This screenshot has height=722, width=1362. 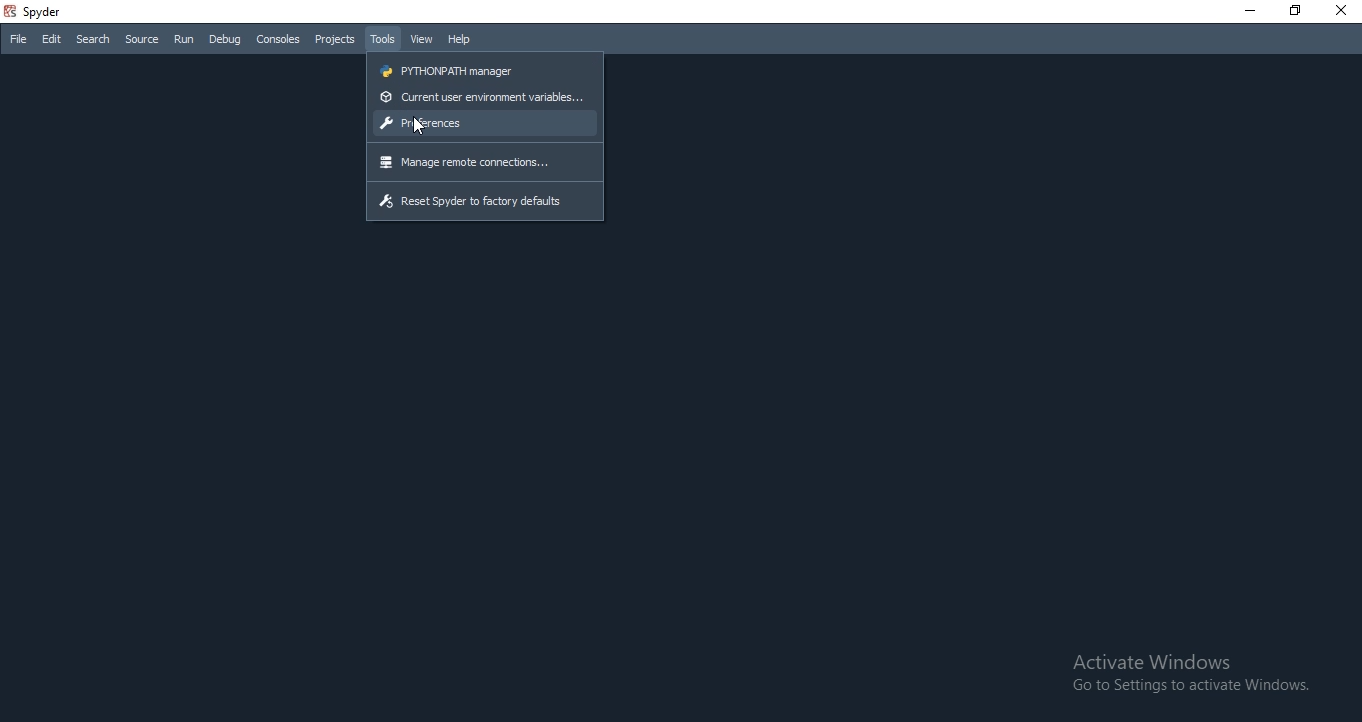 I want to click on Source, so click(x=143, y=39).